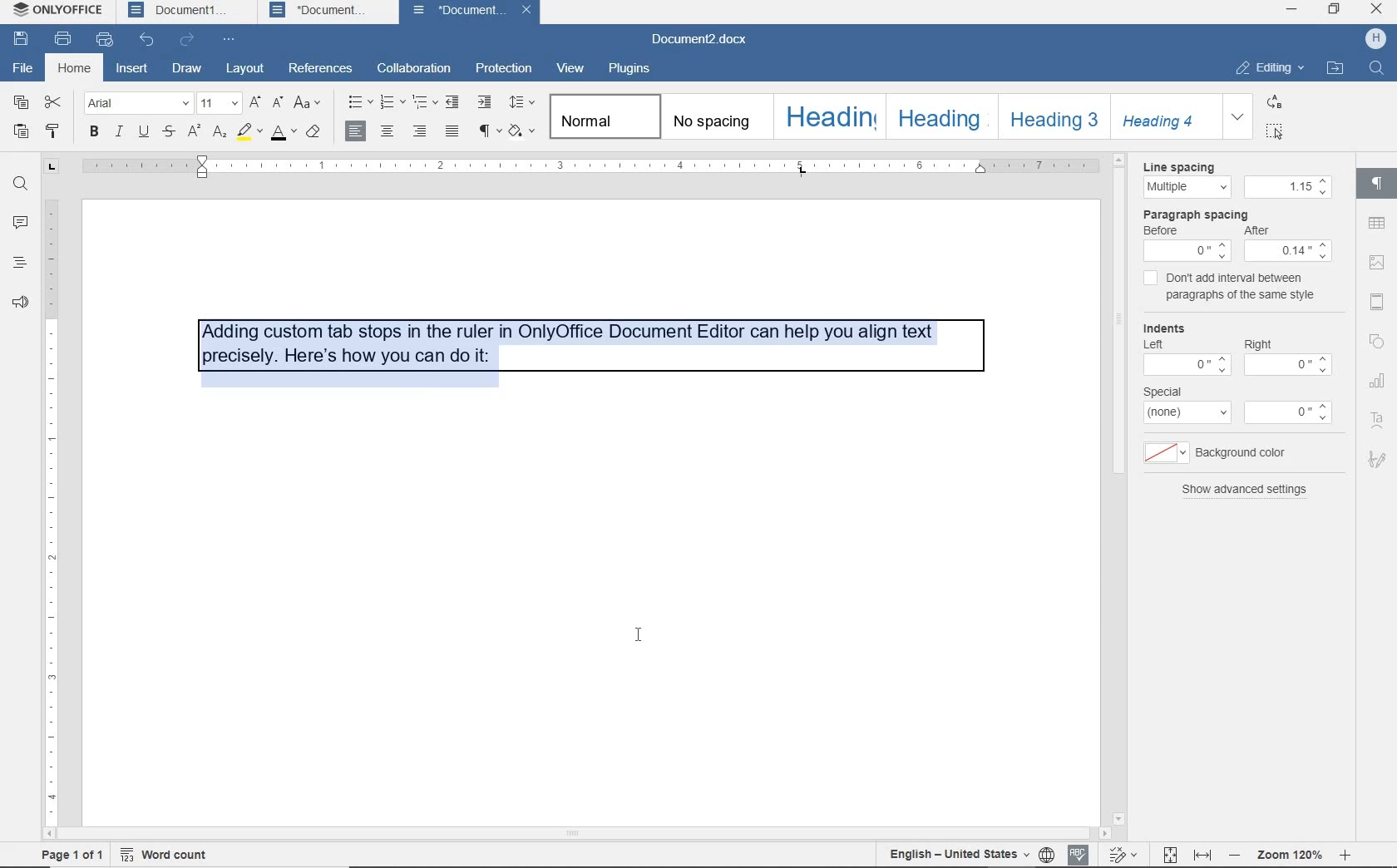  I want to click on scroll bar, so click(1116, 486).